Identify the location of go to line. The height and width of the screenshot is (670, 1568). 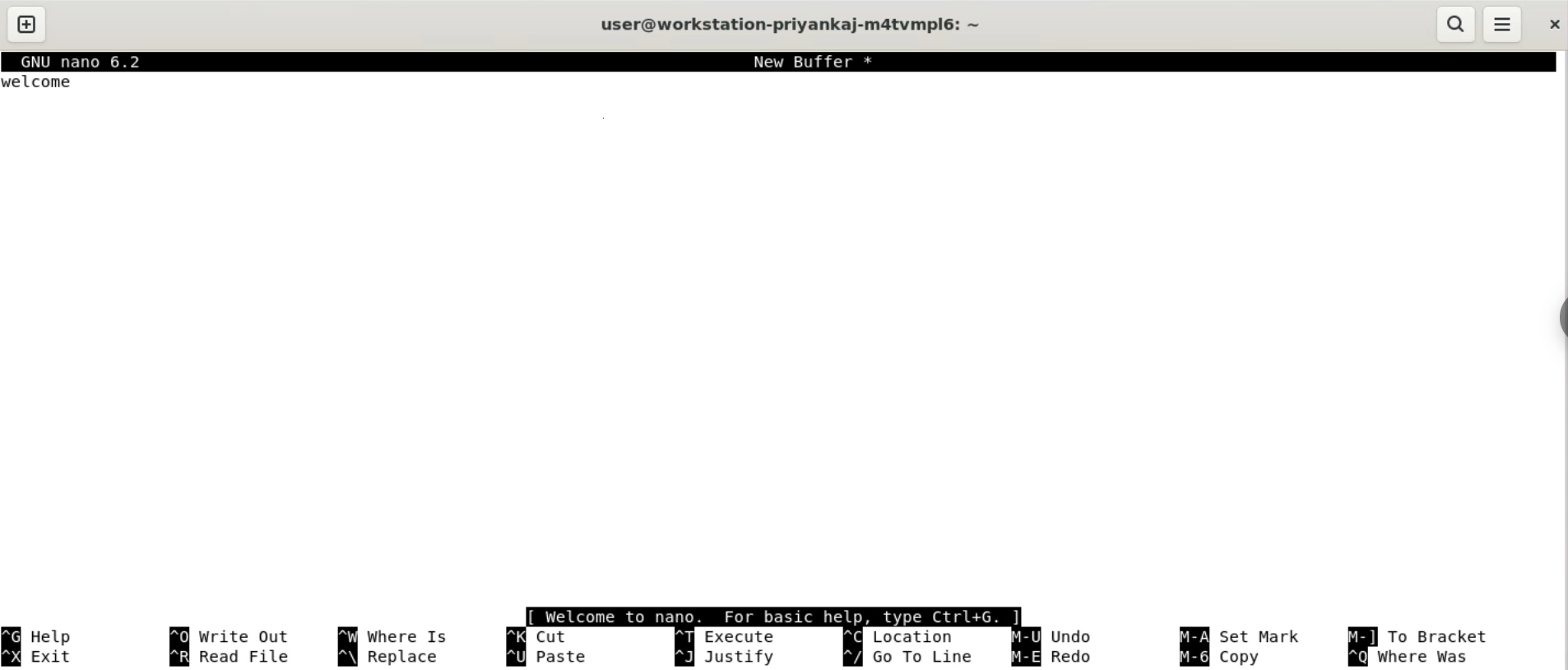
(911, 657).